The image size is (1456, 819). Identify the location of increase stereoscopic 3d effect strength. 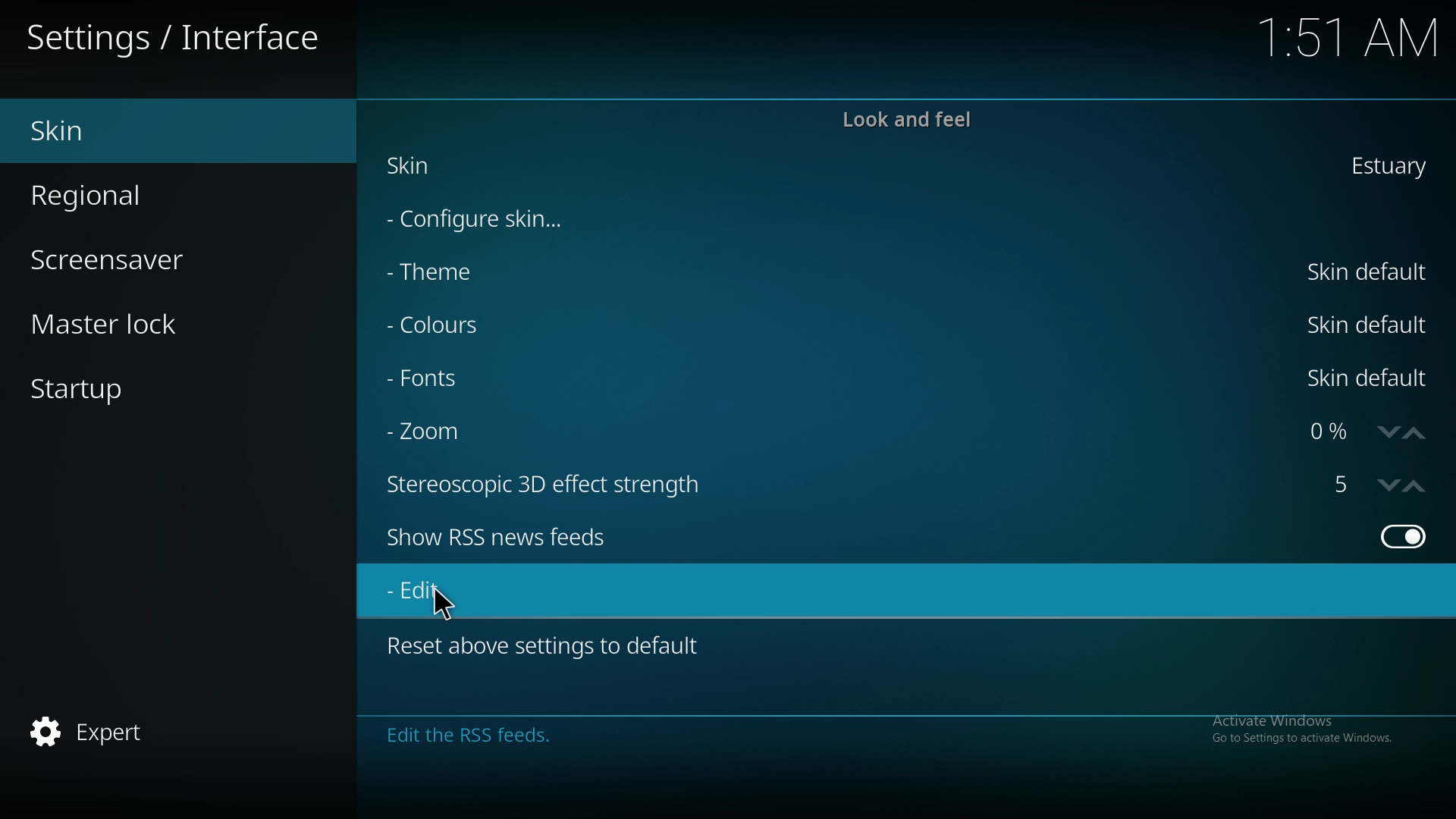
(1416, 485).